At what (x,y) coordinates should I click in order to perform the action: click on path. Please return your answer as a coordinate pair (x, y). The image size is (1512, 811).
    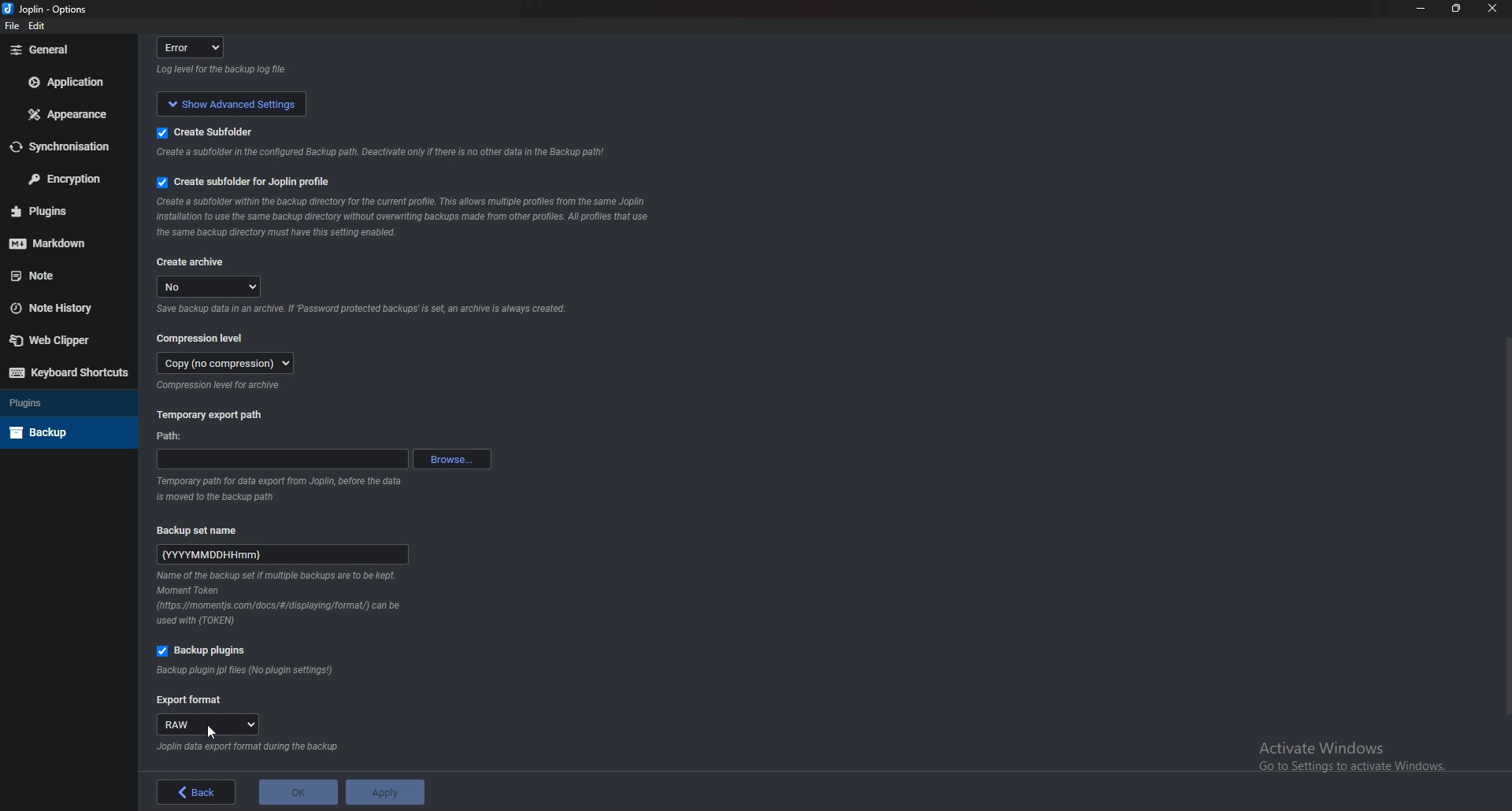
    Looking at the image, I should click on (282, 459).